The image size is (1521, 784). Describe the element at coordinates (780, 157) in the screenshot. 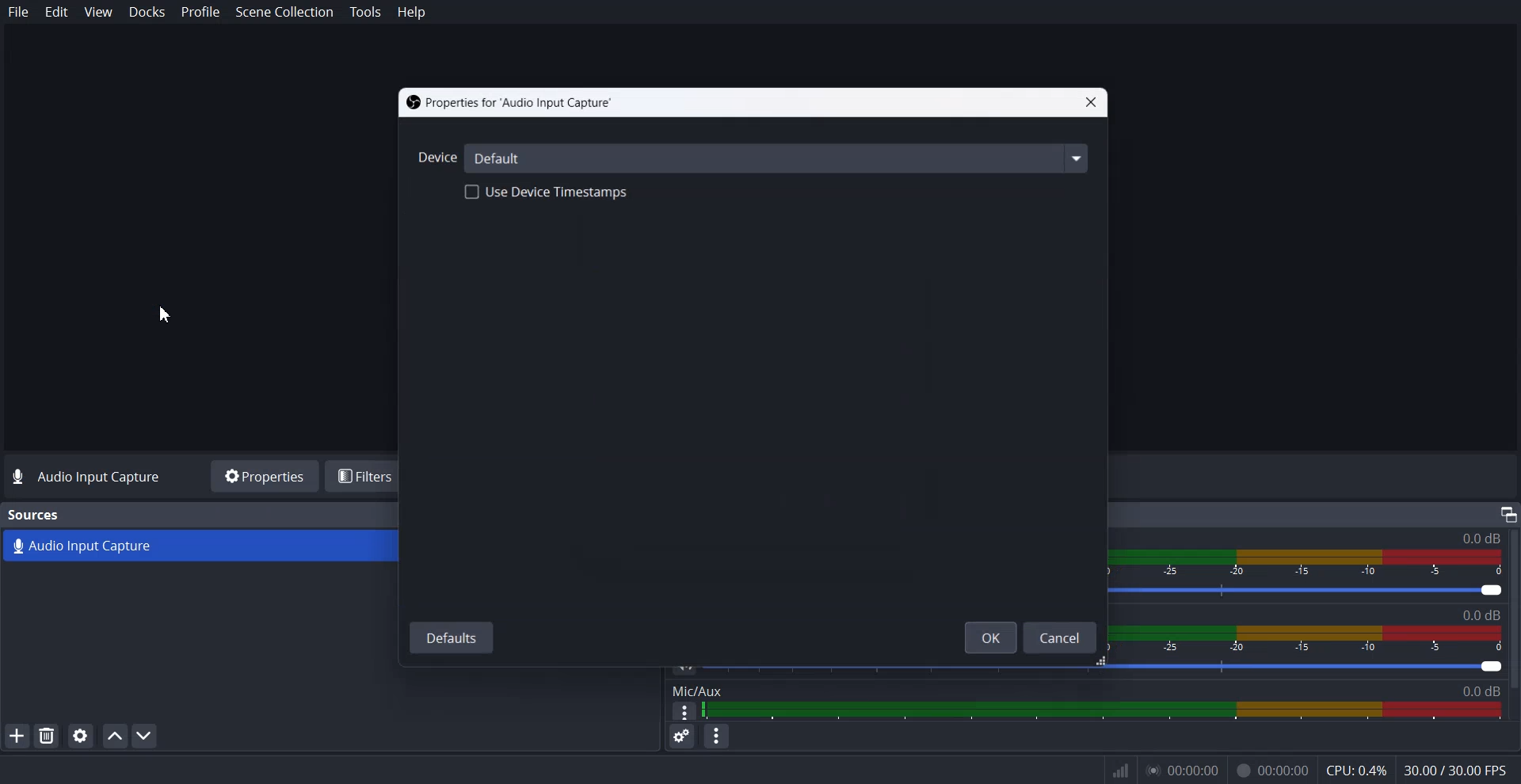

I see `Default` at that location.